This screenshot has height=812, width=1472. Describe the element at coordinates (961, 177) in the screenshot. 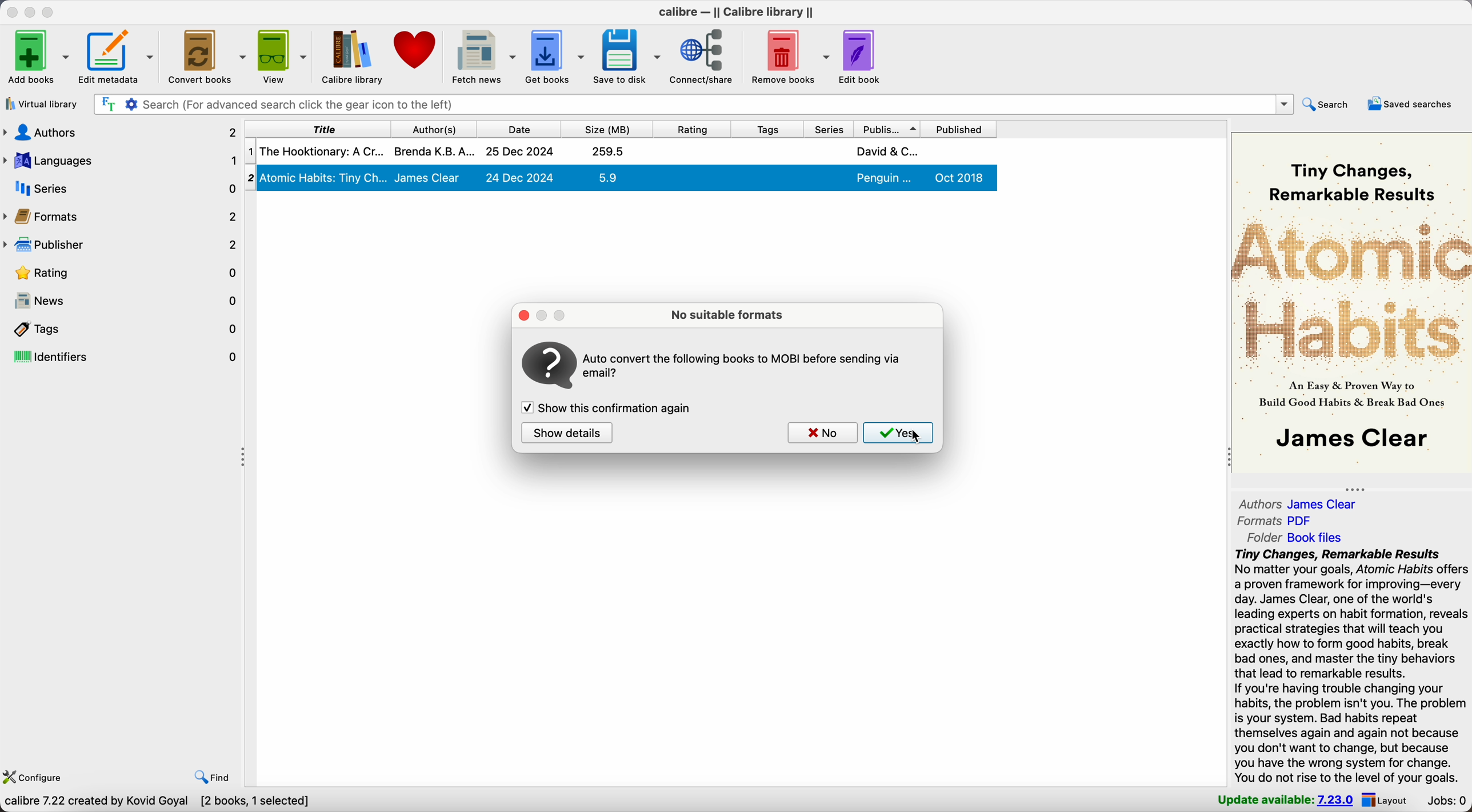

I see `Oct 2018` at that location.